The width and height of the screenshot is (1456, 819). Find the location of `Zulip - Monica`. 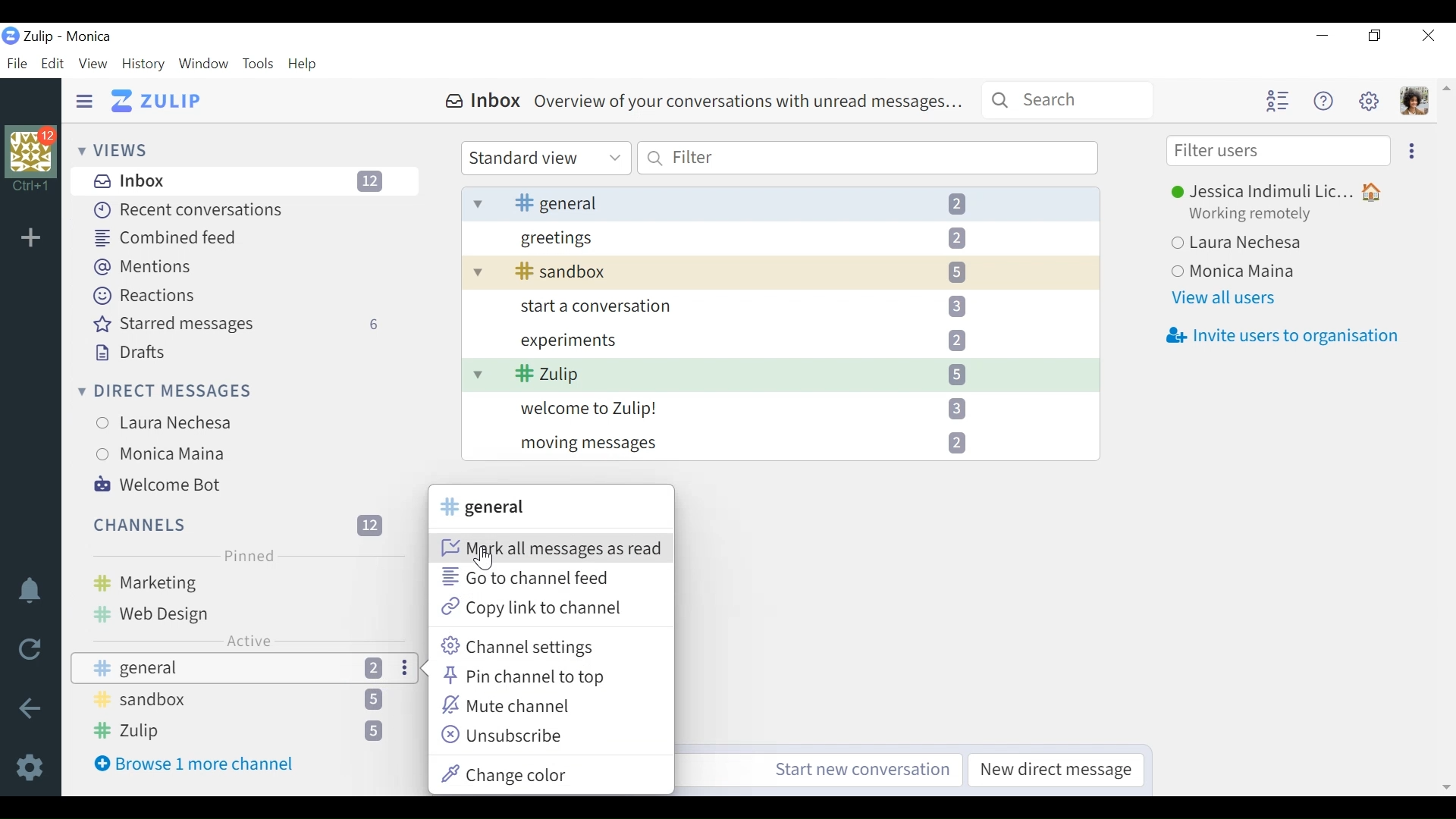

Zulip - Monica is located at coordinates (69, 36).